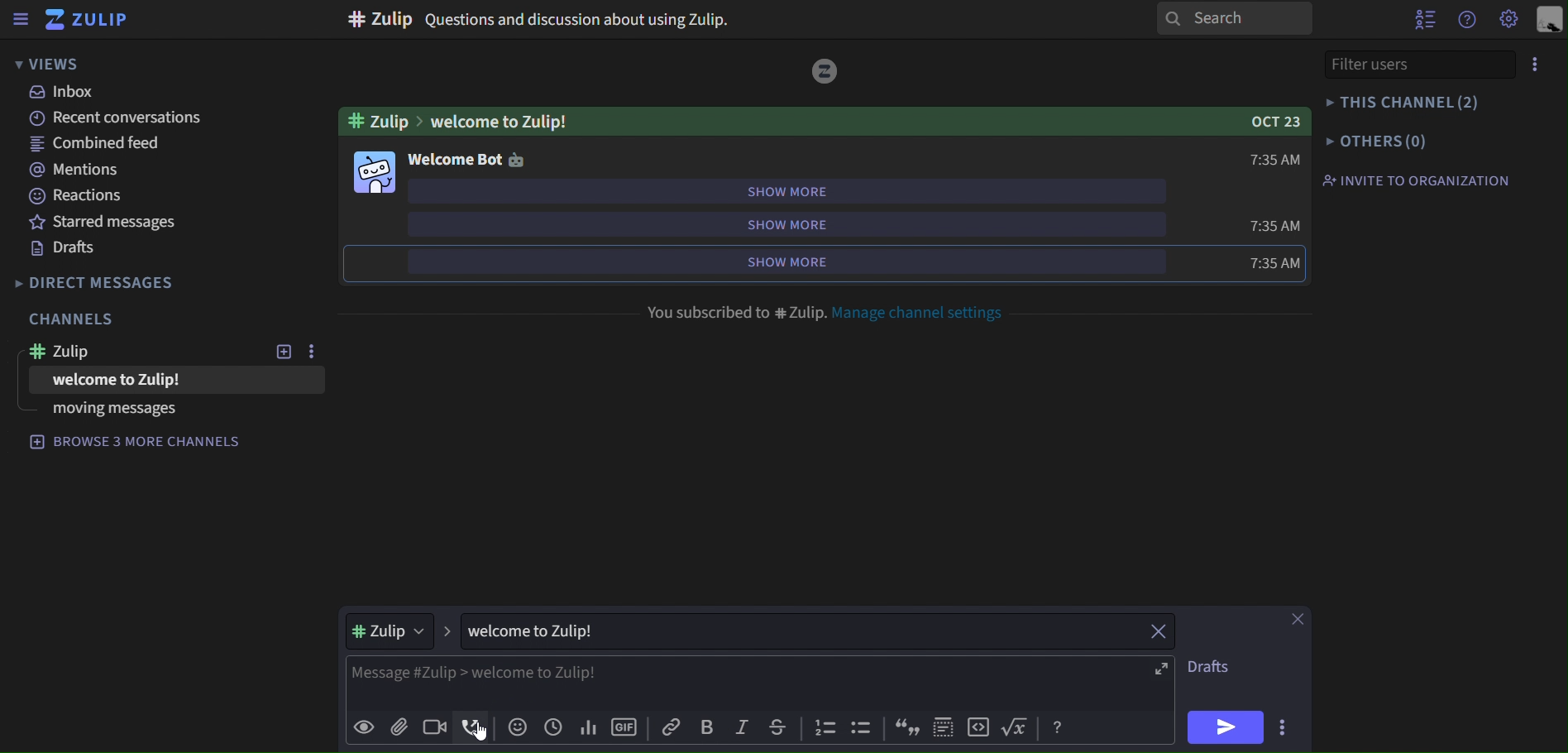  What do you see at coordinates (1016, 727) in the screenshot?
I see `` at bounding box center [1016, 727].